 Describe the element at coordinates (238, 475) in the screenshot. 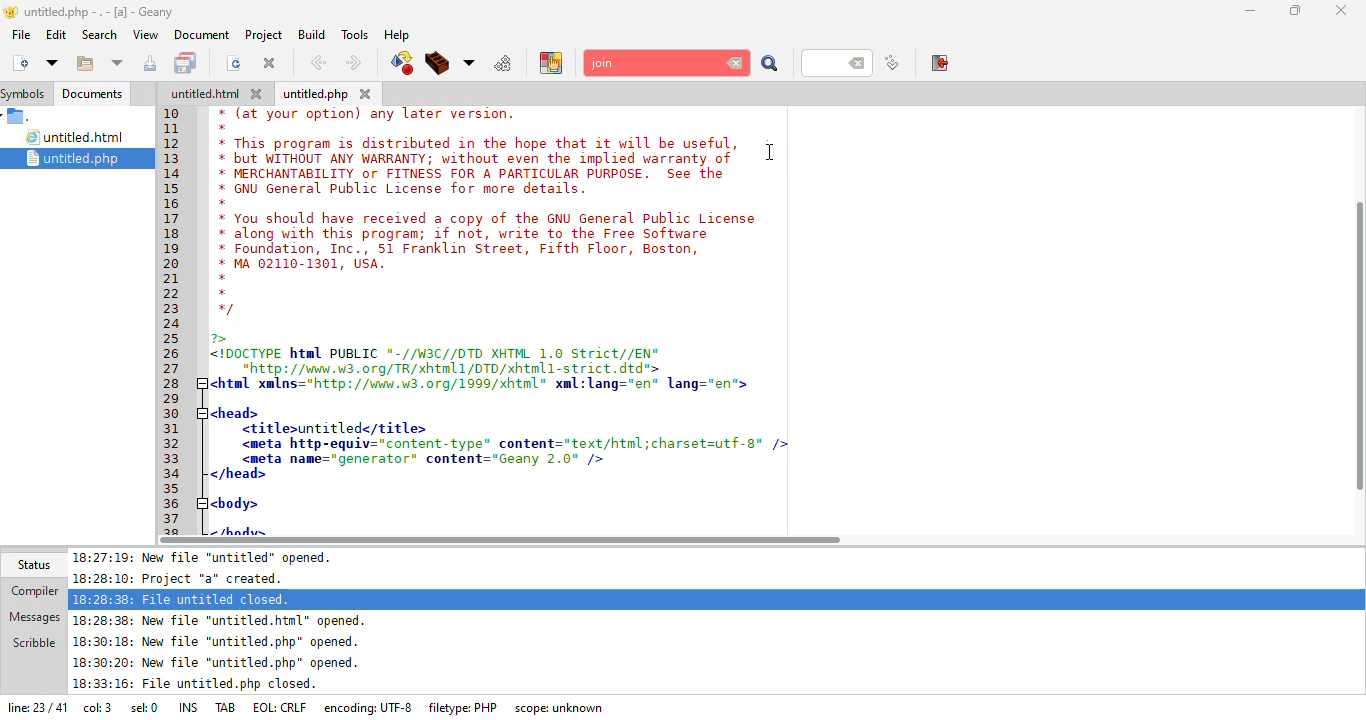

I see `</head>` at that location.